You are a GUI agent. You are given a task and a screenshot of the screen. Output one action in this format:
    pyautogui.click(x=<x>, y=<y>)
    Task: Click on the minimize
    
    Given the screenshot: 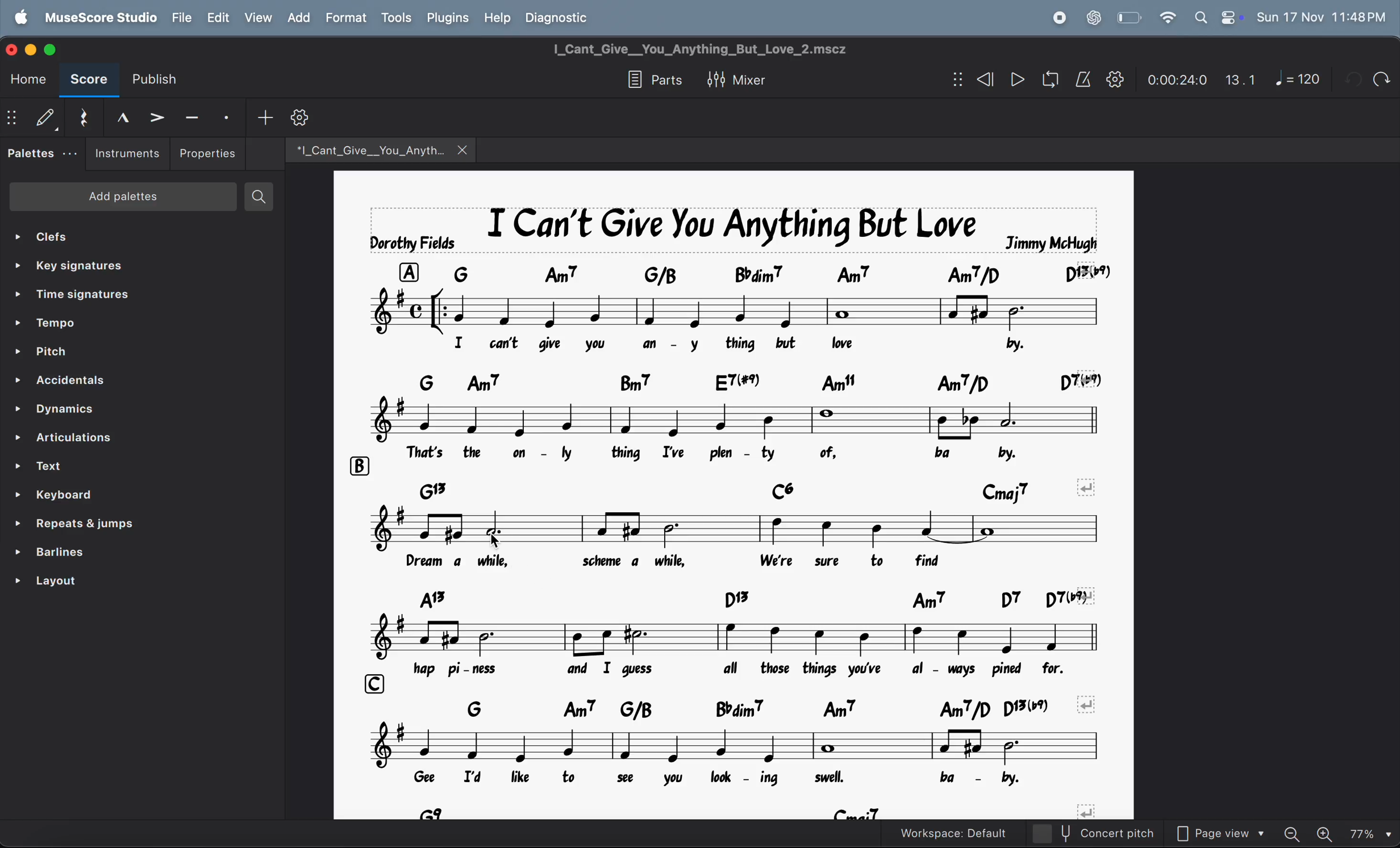 What is the action you would take?
    pyautogui.click(x=29, y=49)
    